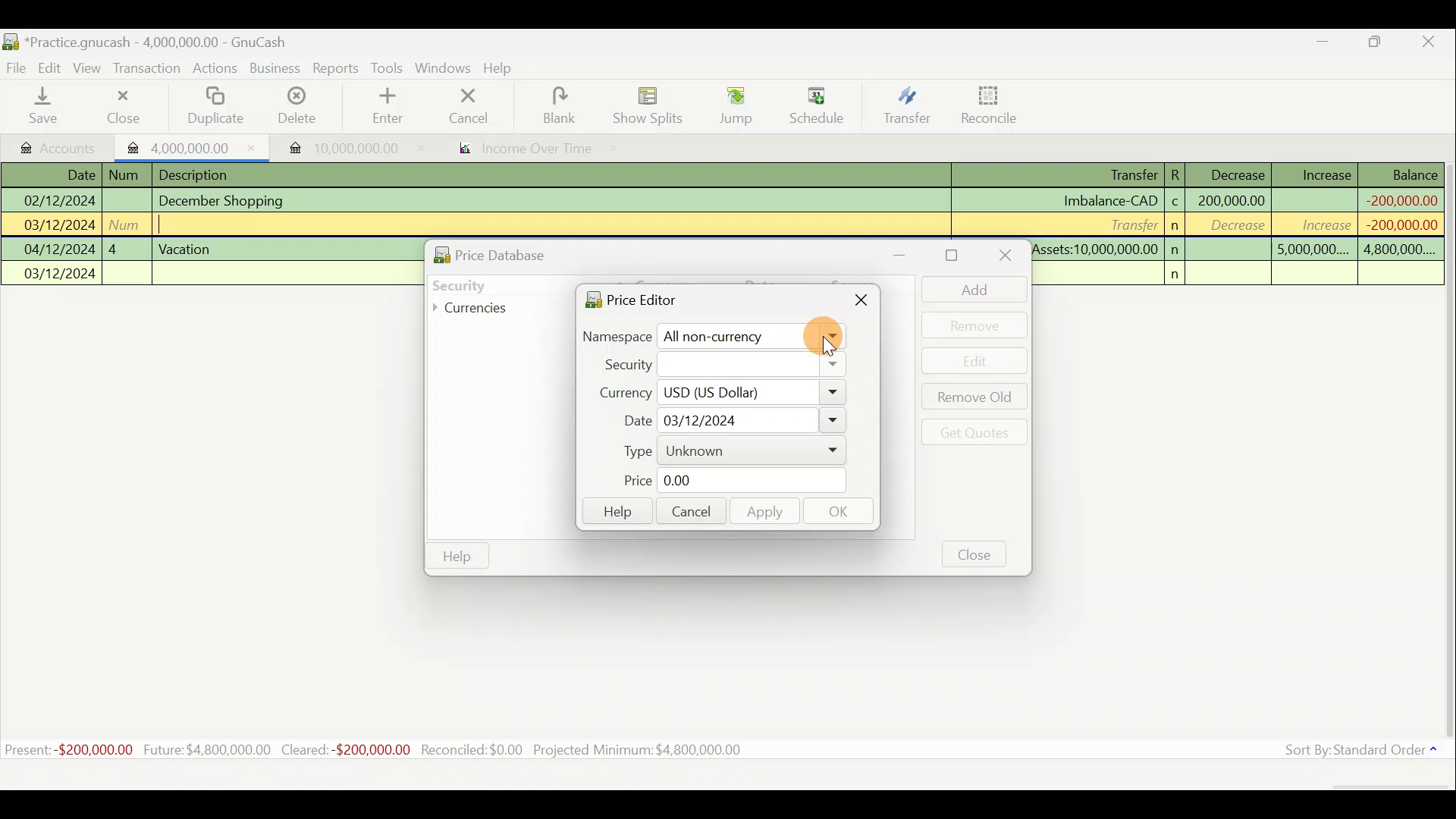 This screenshot has width=1456, height=819. I want to click on Price database, so click(524, 253).